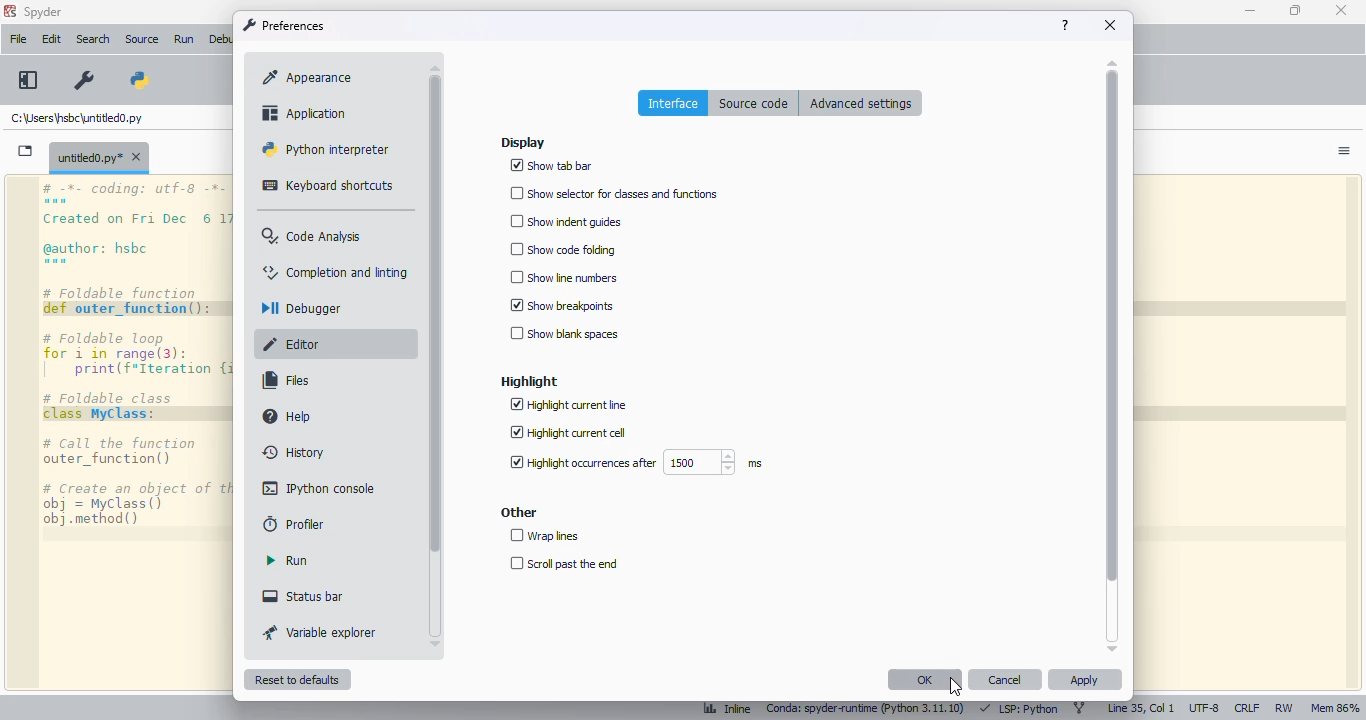 This screenshot has width=1366, height=720. What do you see at coordinates (336, 272) in the screenshot?
I see `completion and linting` at bounding box center [336, 272].